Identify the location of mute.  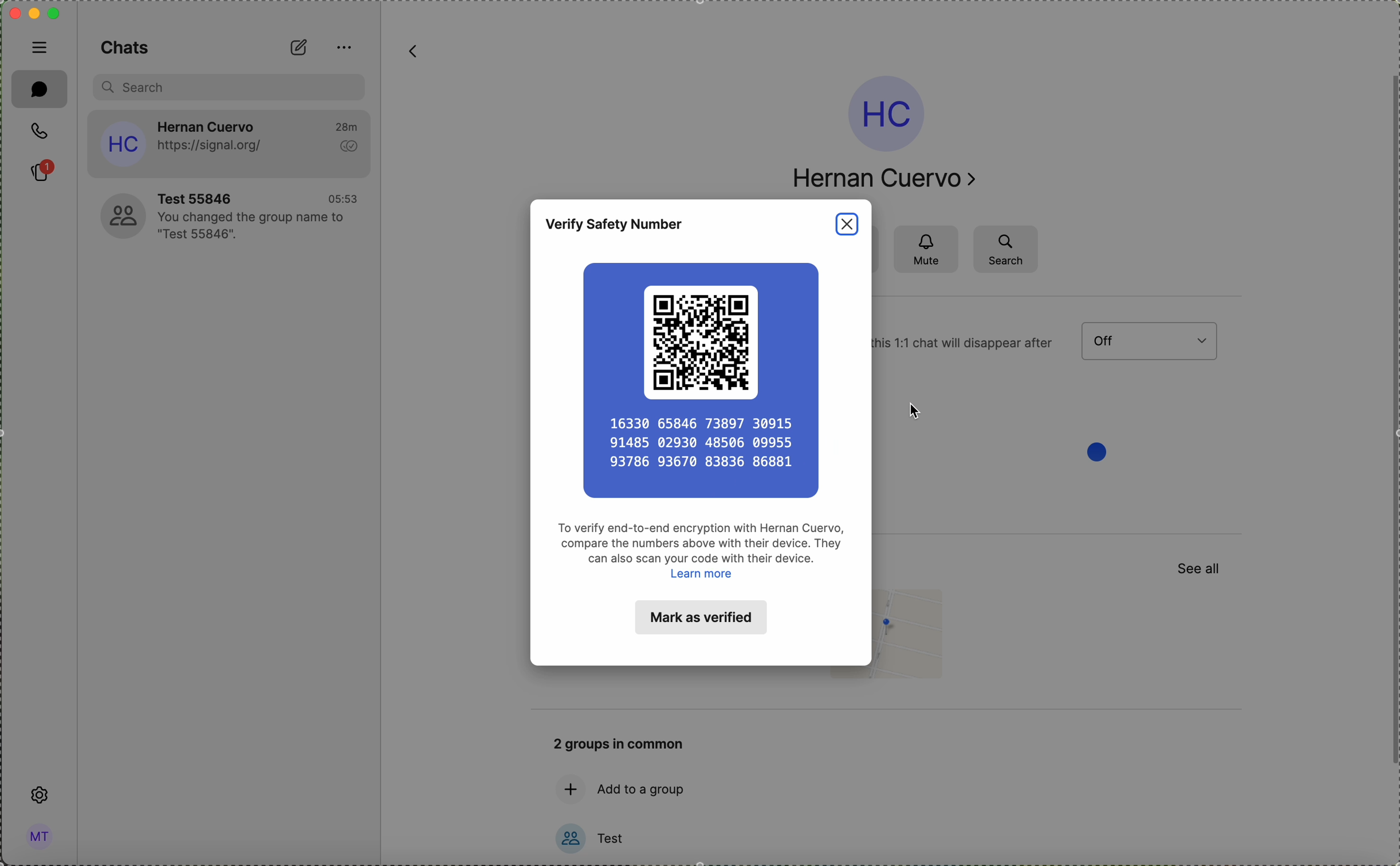
(929, 249).